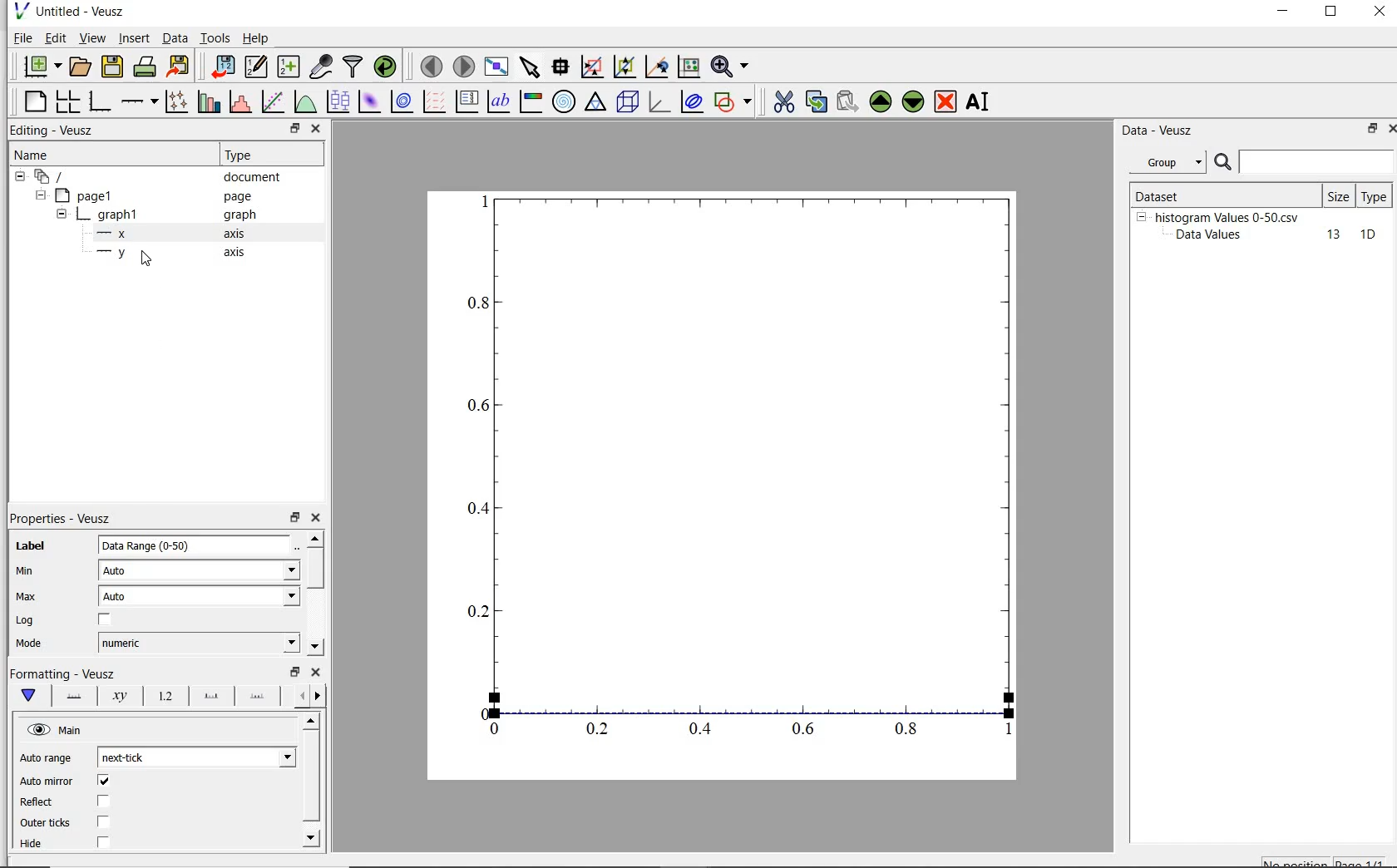 The image size is (1397, 868). I want to click on save, so click(113, 65).